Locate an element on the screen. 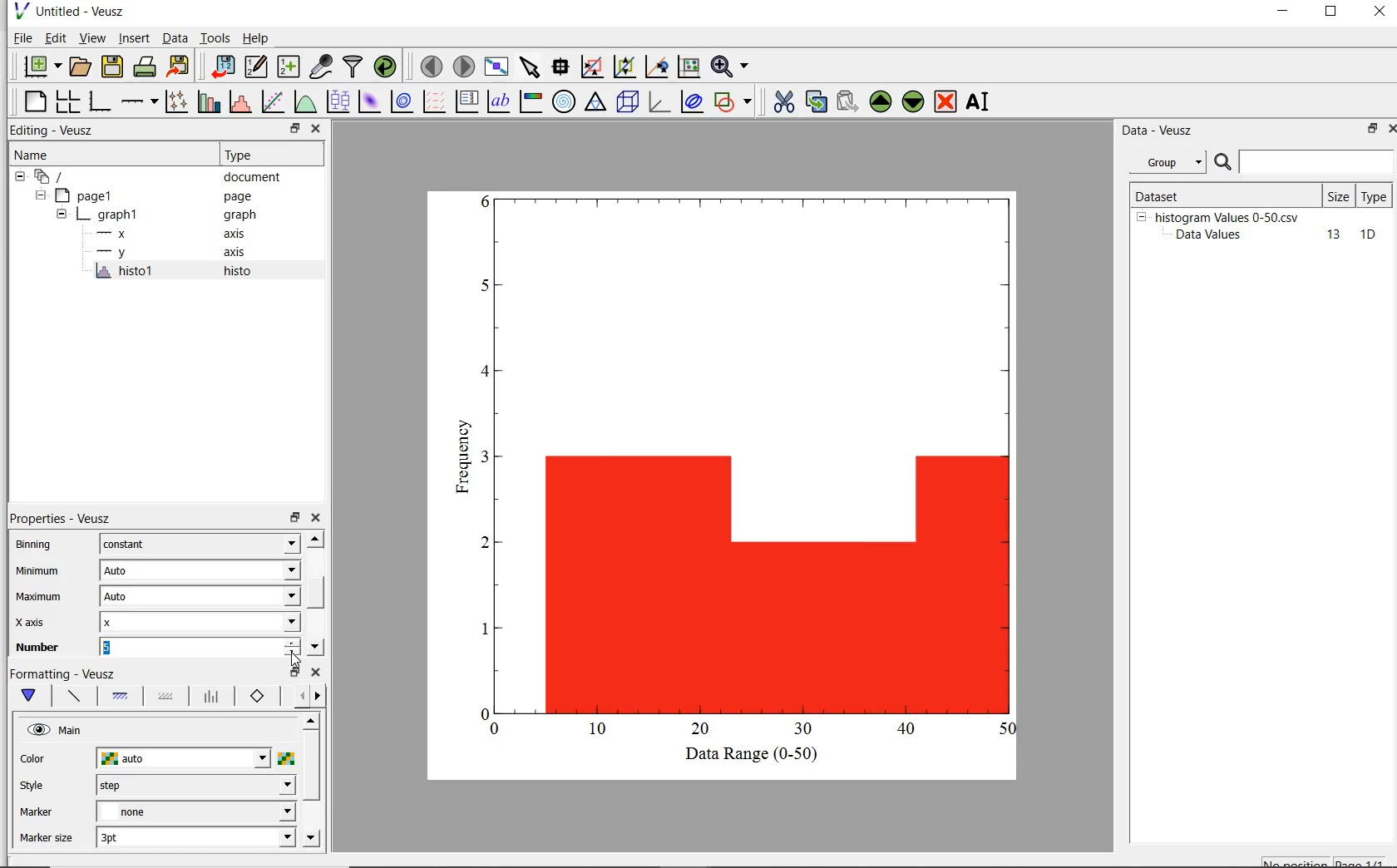 This screenshot has width=1397, height=868. histogram Values 0-50.csv is located at coordinates (1227, 216).